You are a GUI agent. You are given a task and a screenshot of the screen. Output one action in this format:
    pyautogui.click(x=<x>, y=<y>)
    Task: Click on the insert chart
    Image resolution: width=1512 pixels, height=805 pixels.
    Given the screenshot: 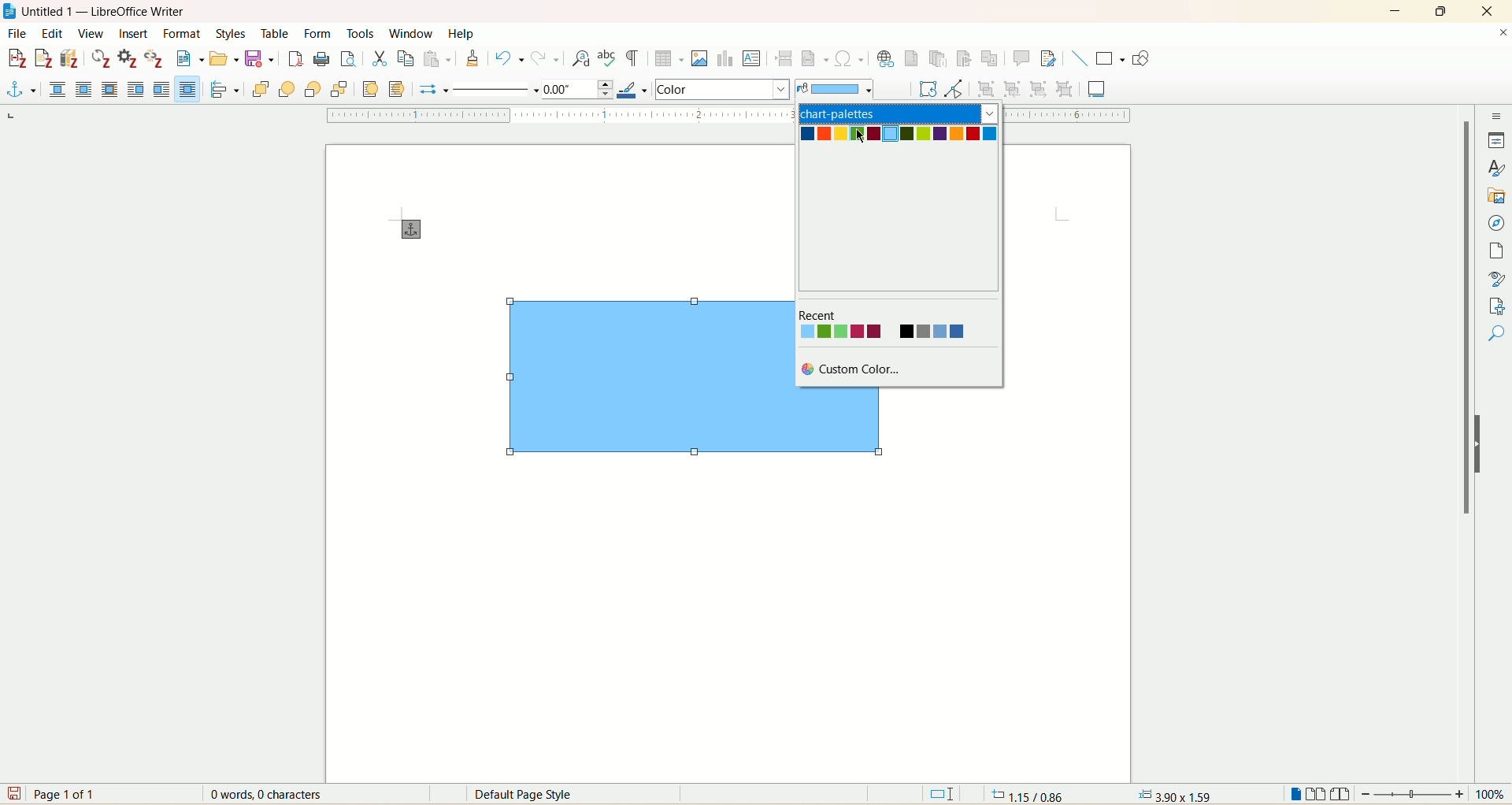 What is the action you would take?
    pyautogui.click(x=725, y=60)
    